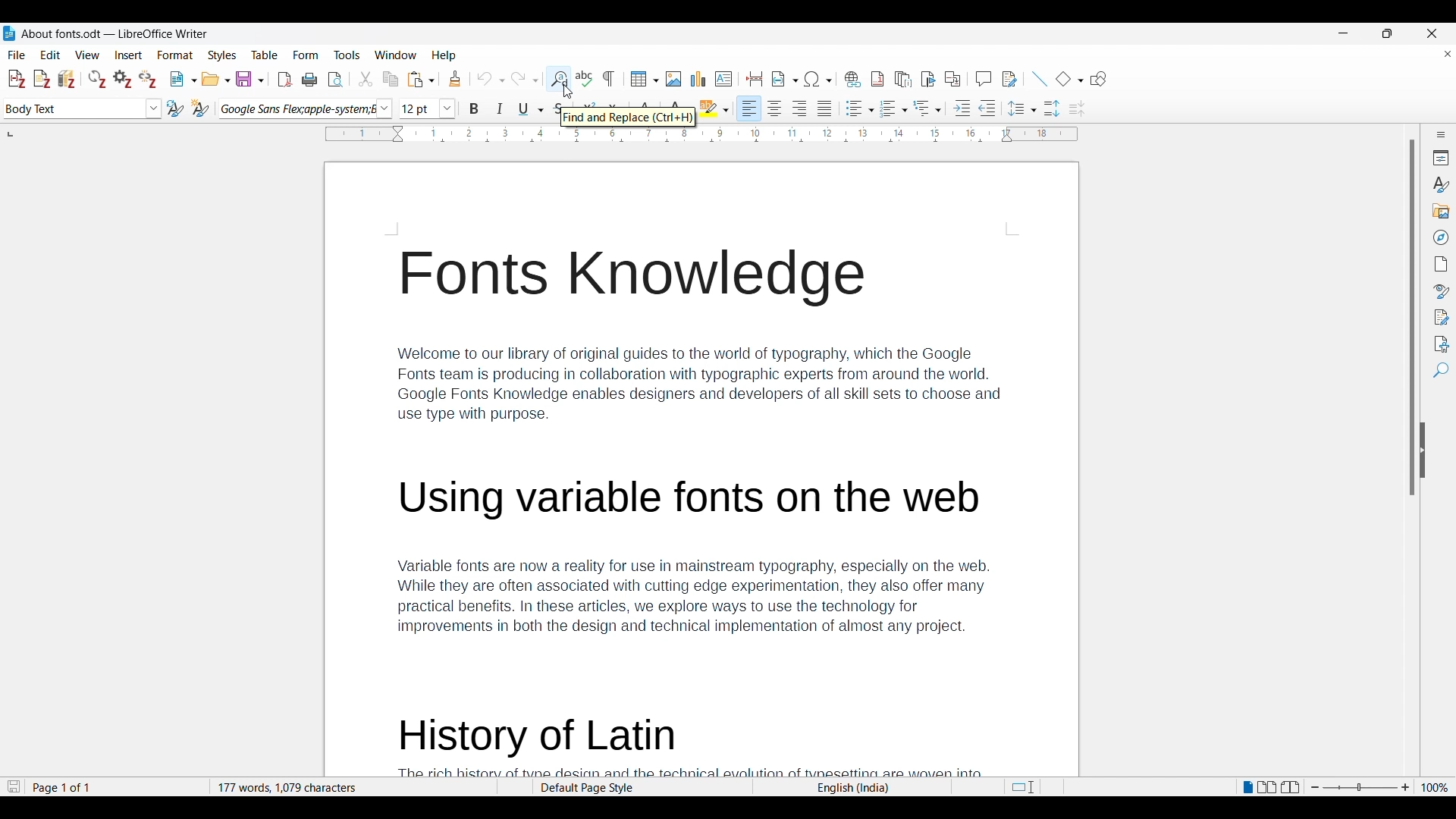 The image size is (1456, 819). Describe the element at coordinates (353, 788) in the screenshot. I see `Total word and character count` at that location.